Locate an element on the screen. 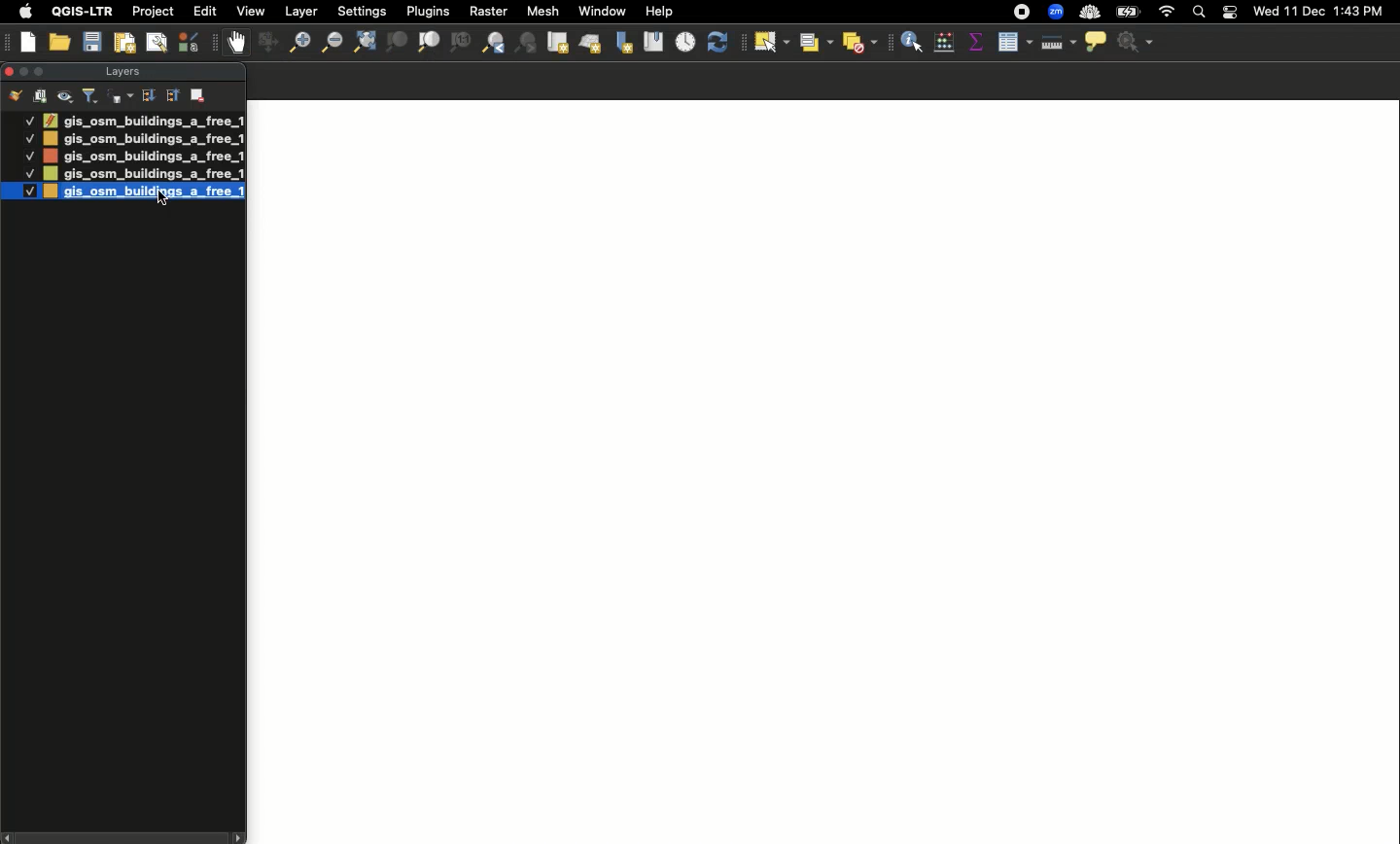 This screenshot has height=844, width=1400. Style manager is located at coordinates (265, 43).